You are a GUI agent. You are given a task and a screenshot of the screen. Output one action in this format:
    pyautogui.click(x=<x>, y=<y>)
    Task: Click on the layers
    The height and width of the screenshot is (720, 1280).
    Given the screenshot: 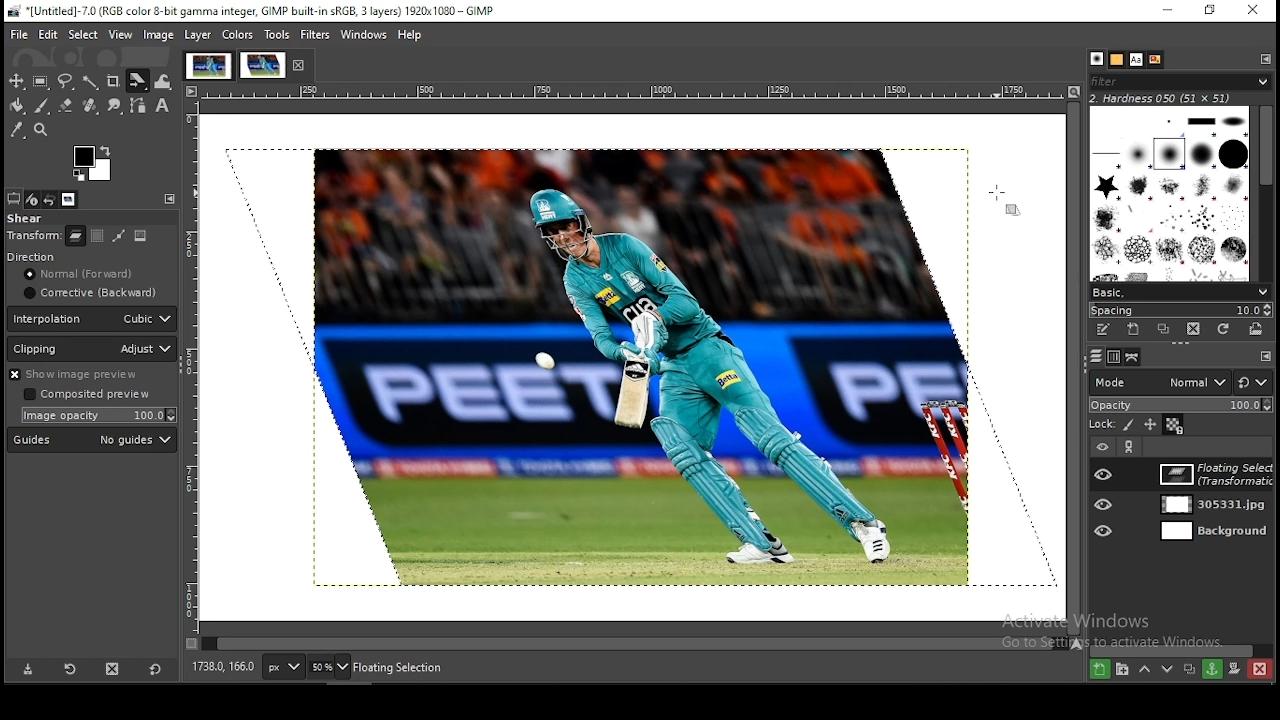 What is the action you would take?
    pyautogui.click(x=1133, y=357)
    